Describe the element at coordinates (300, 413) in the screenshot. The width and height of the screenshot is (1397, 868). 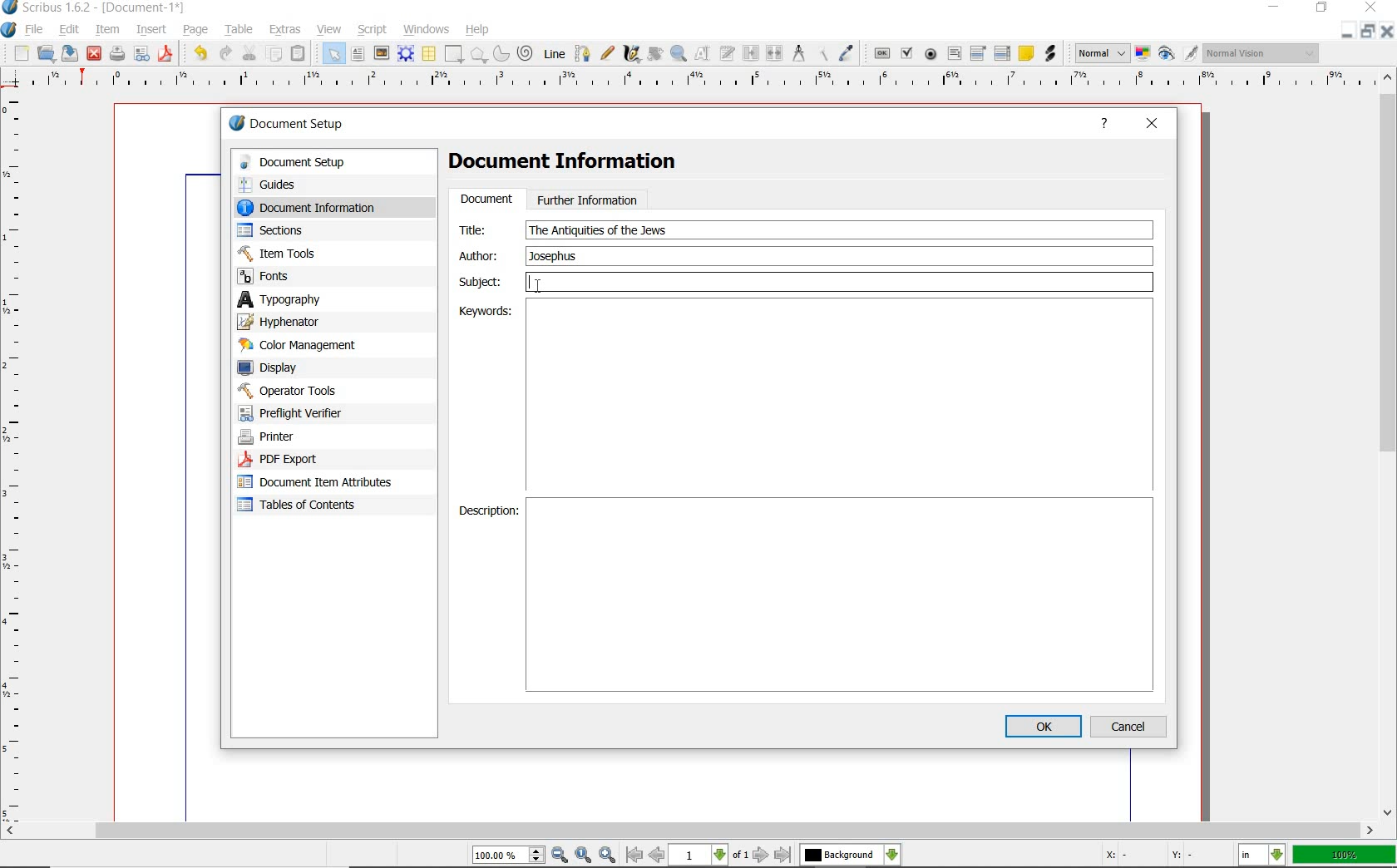
I see `preflight verifier` at that location.